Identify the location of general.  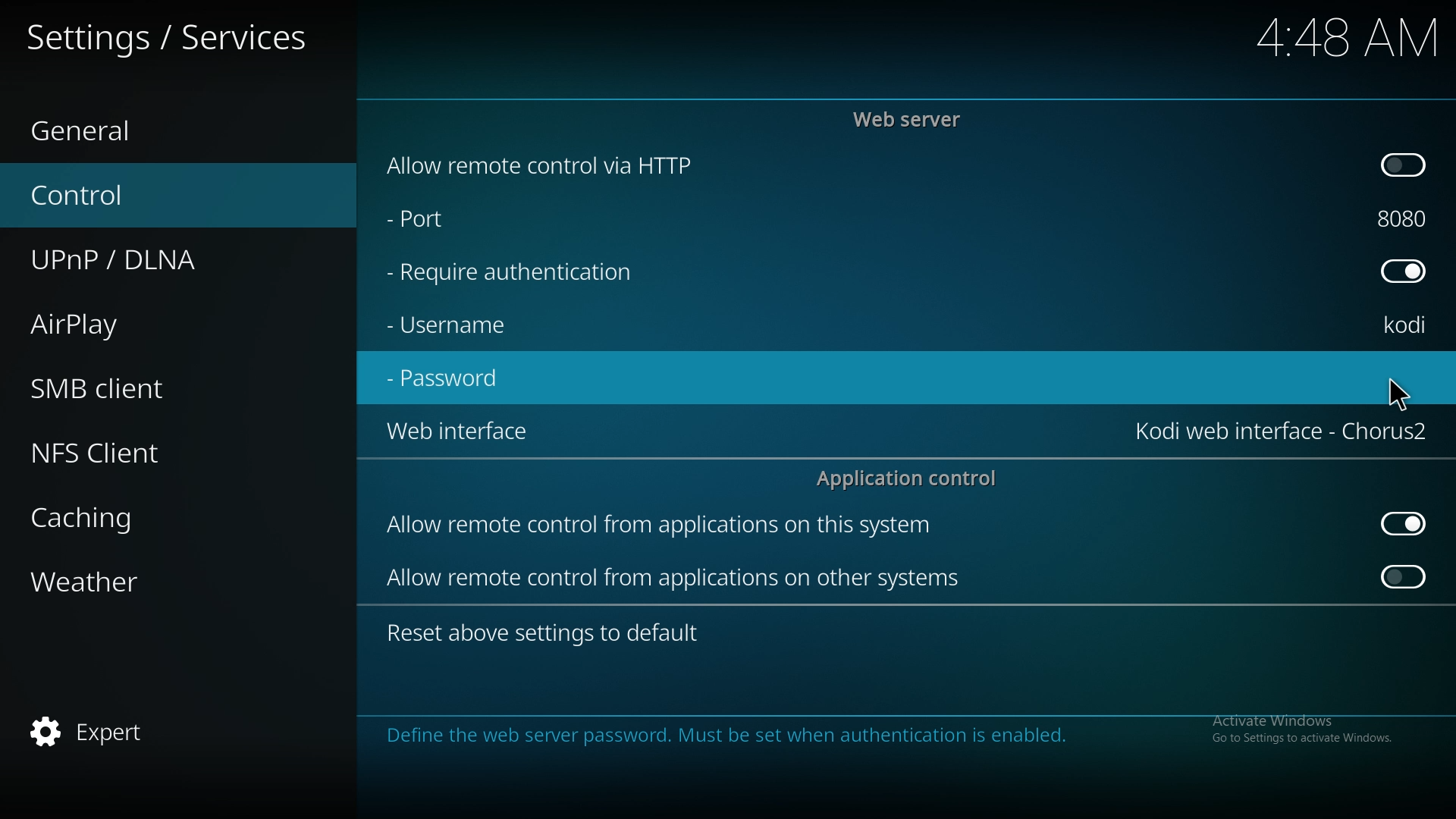
(107, 124).